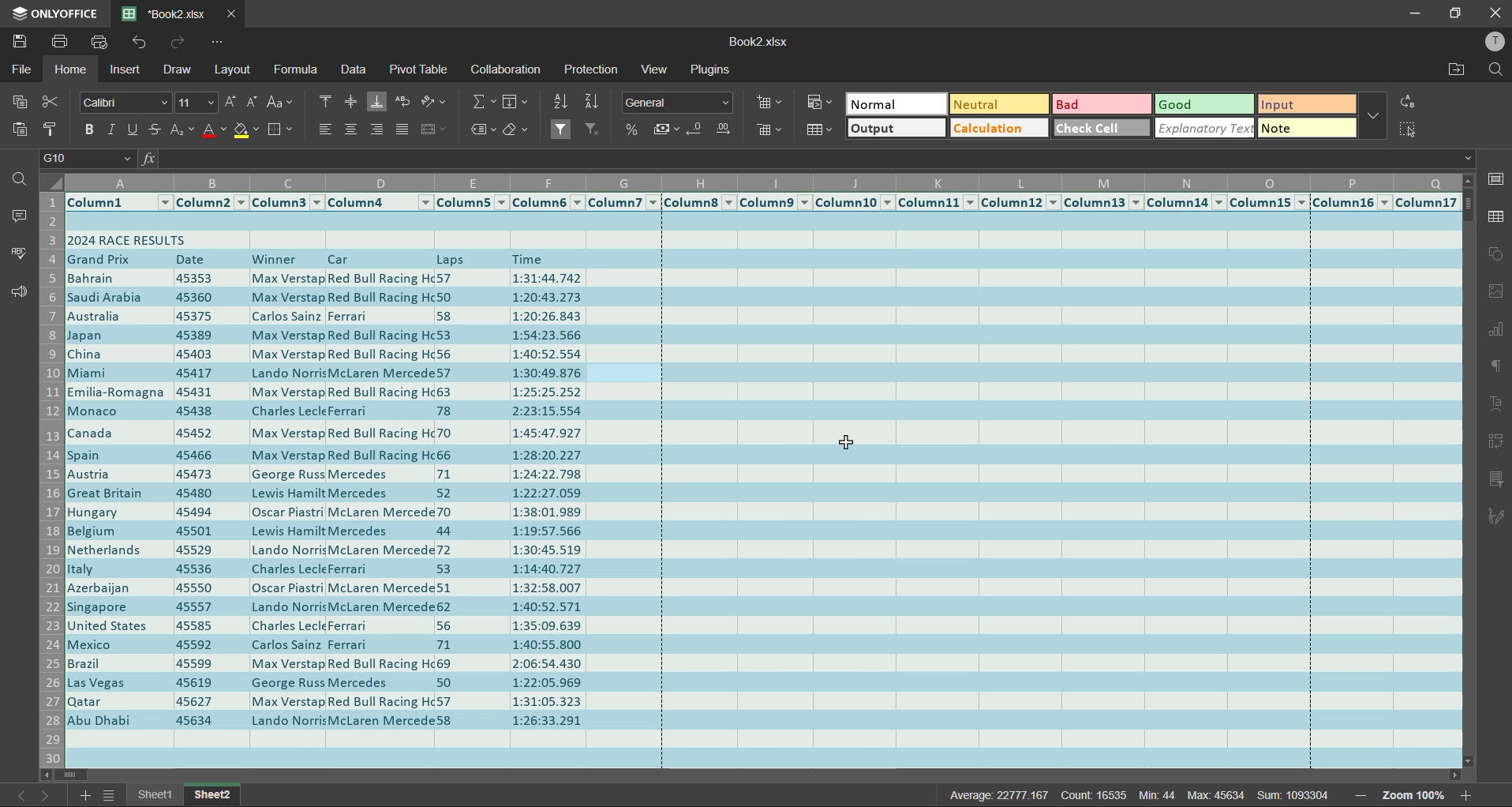 The height and width of the screenshot is (807, 1512). What do you see at coordinates (89, 796) in the screenshot?
I see `add sheet` at bounding box center [89, 796].